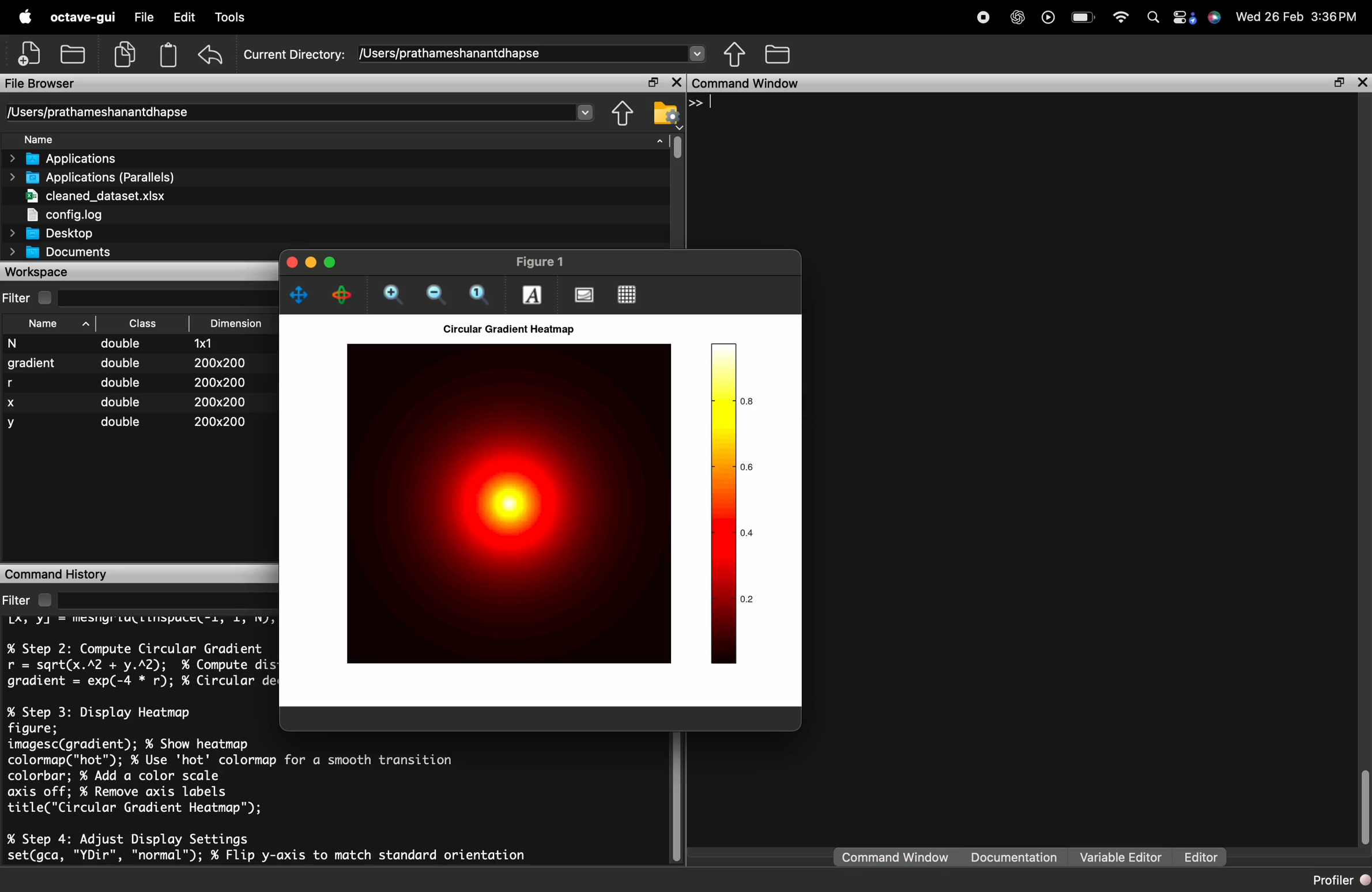  I want to click on Class, so click(149, 322).